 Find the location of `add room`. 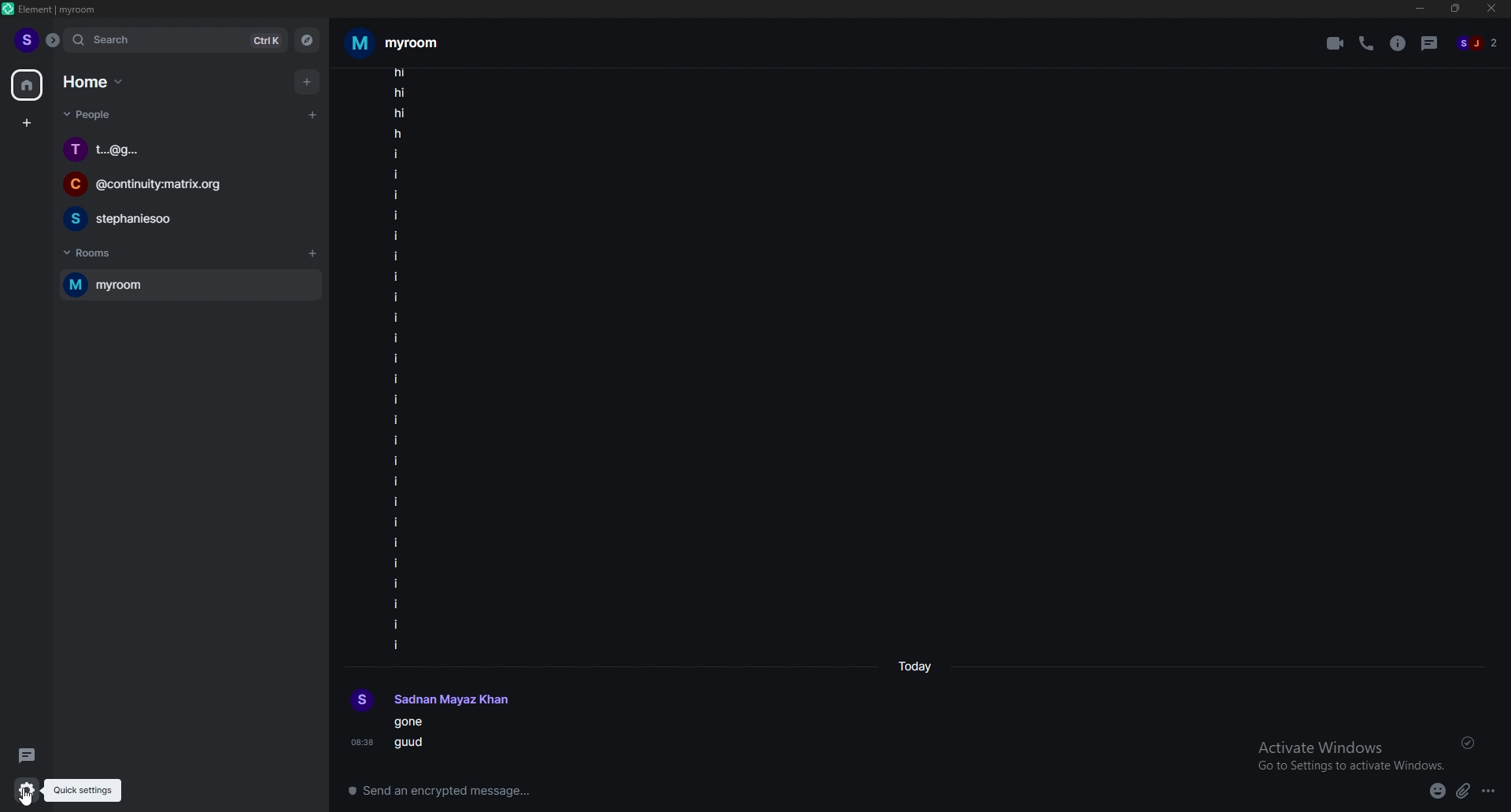

add room is located at coordinates (312, 253).